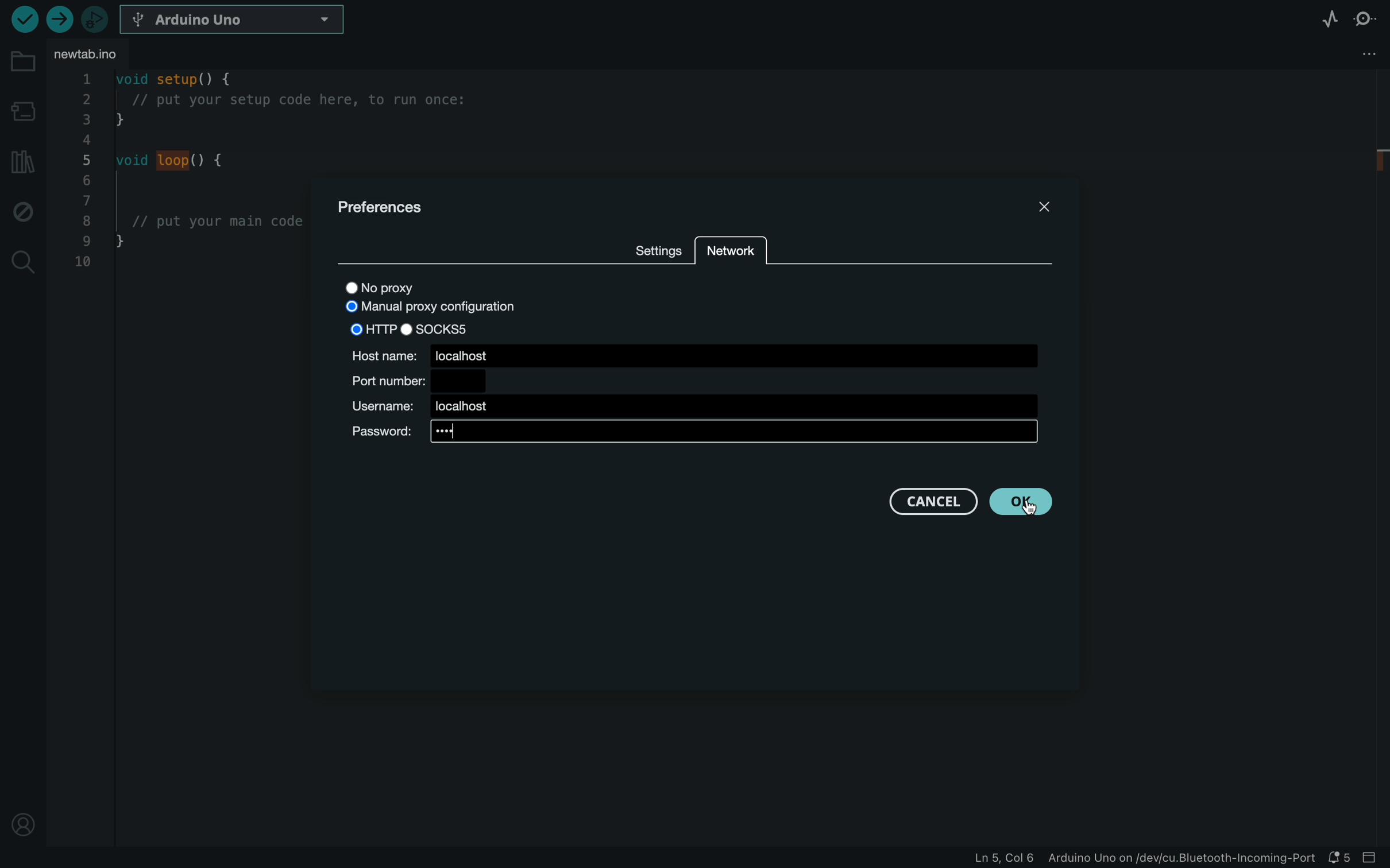 The width and height of the screenshot is (1390, 868). I want to click on folder, so click(20, 60).